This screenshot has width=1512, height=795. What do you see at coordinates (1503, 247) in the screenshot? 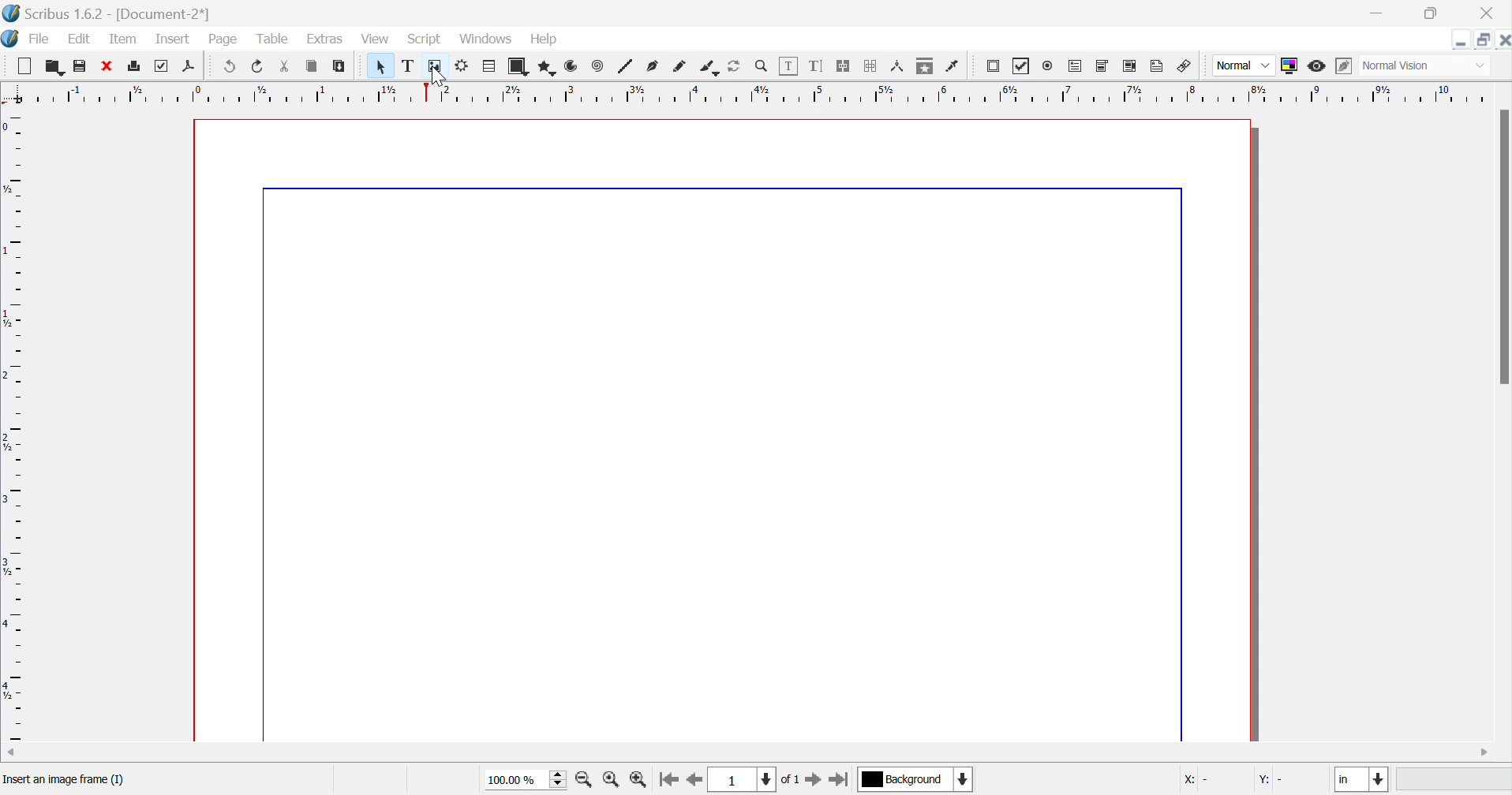
I see `scroll bar` at bounding box center [1503, 247].